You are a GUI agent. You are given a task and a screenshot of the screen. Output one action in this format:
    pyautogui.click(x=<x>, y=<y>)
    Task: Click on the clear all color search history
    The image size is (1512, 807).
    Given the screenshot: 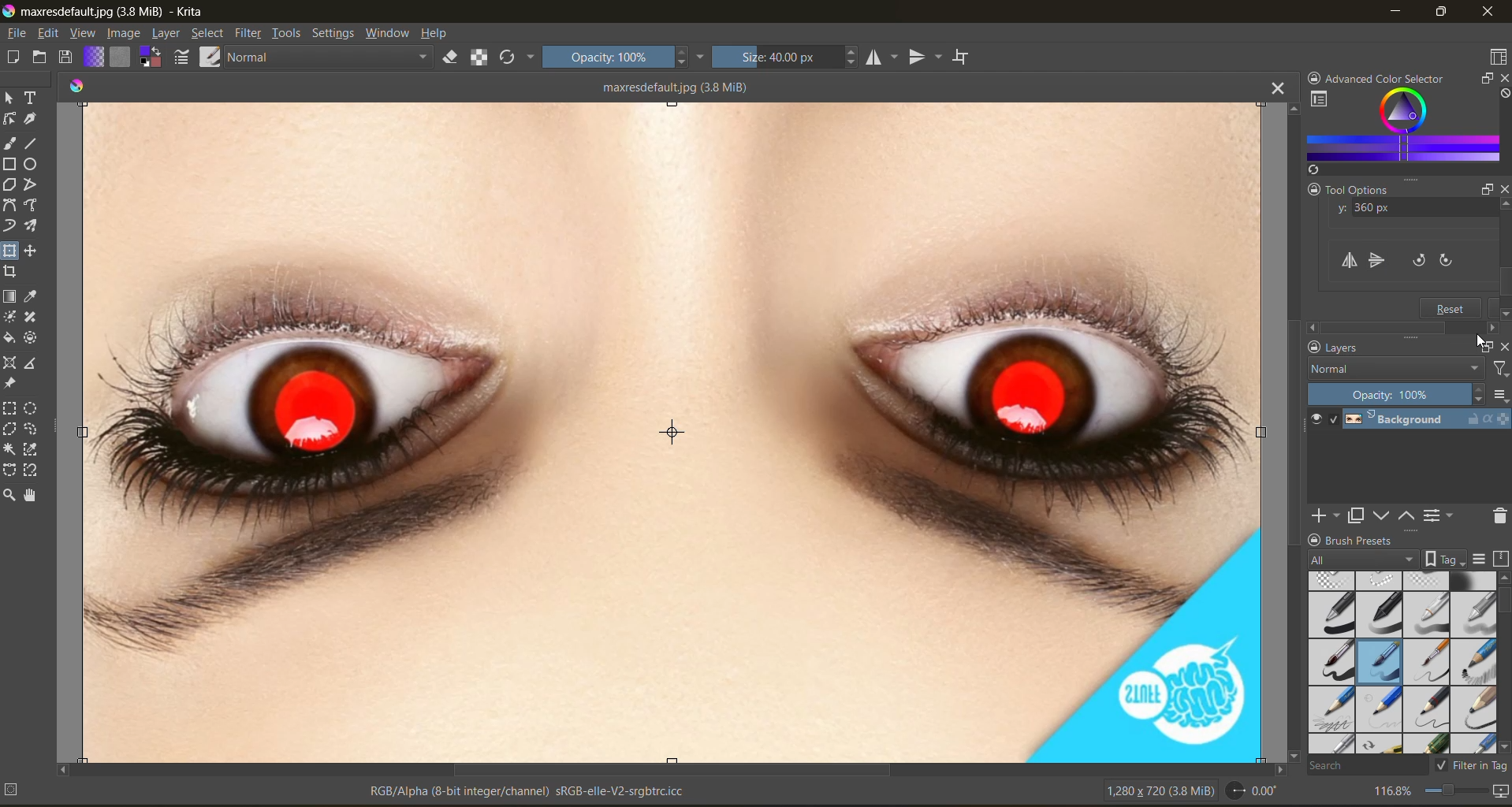 What is the action you would take?
    pyautogui.click(x=1503, y=94)
    